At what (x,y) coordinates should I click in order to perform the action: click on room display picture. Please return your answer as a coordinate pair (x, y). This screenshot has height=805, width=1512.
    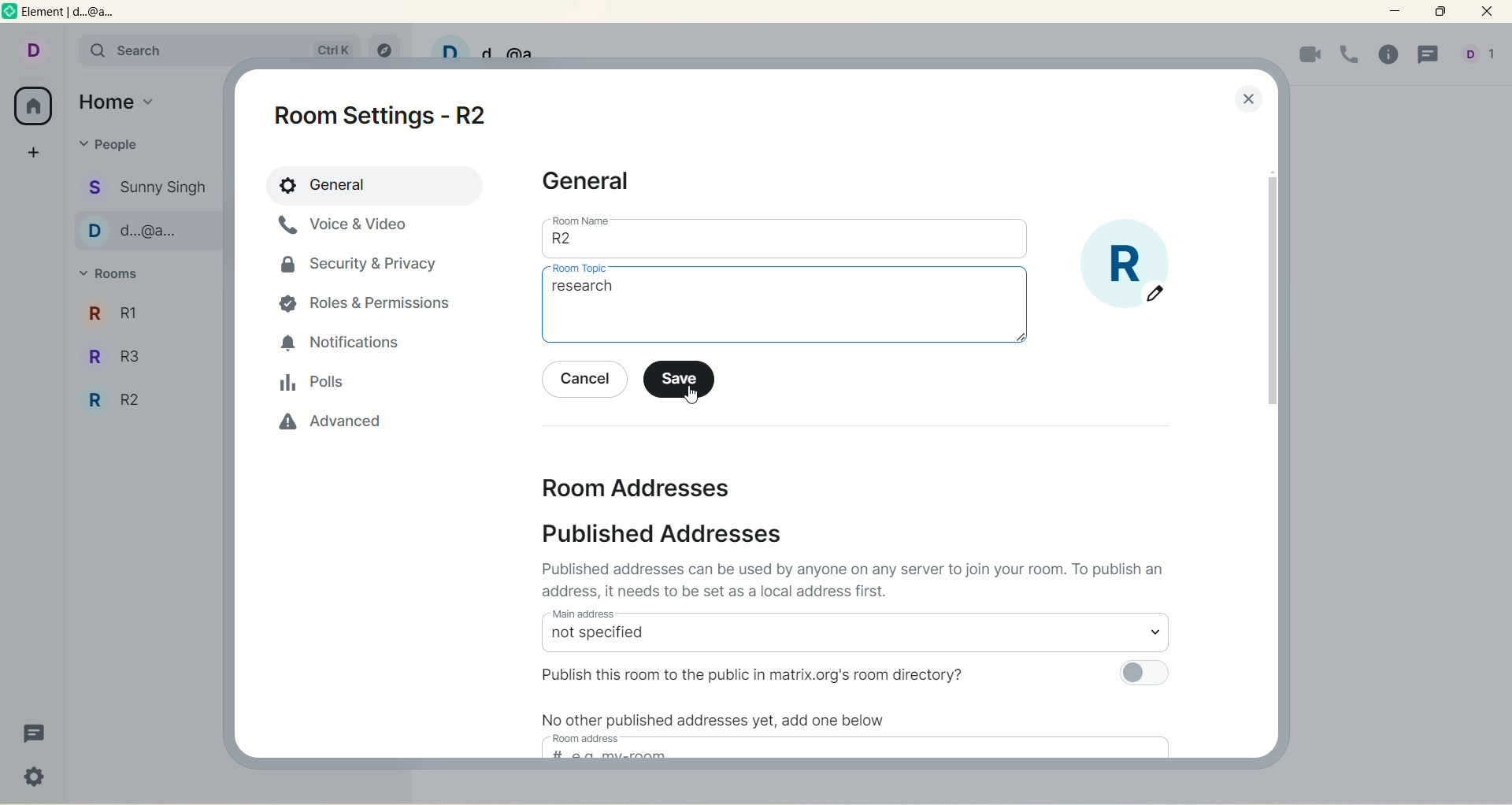
    Looking at the image, I should click on (1127, 265).